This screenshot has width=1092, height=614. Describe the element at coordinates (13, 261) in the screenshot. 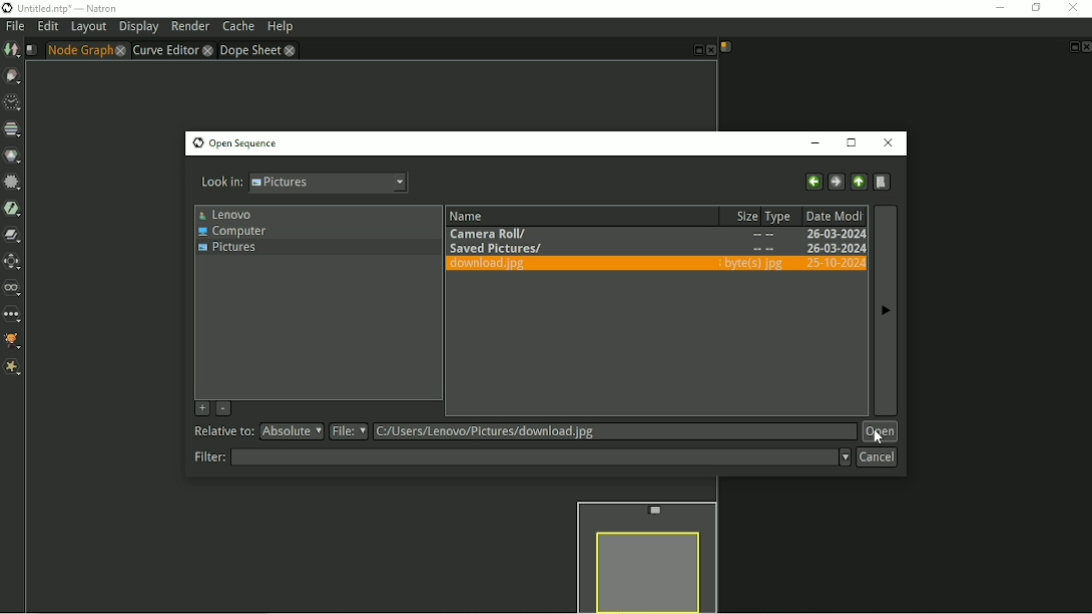

I see `Transform` at that location.